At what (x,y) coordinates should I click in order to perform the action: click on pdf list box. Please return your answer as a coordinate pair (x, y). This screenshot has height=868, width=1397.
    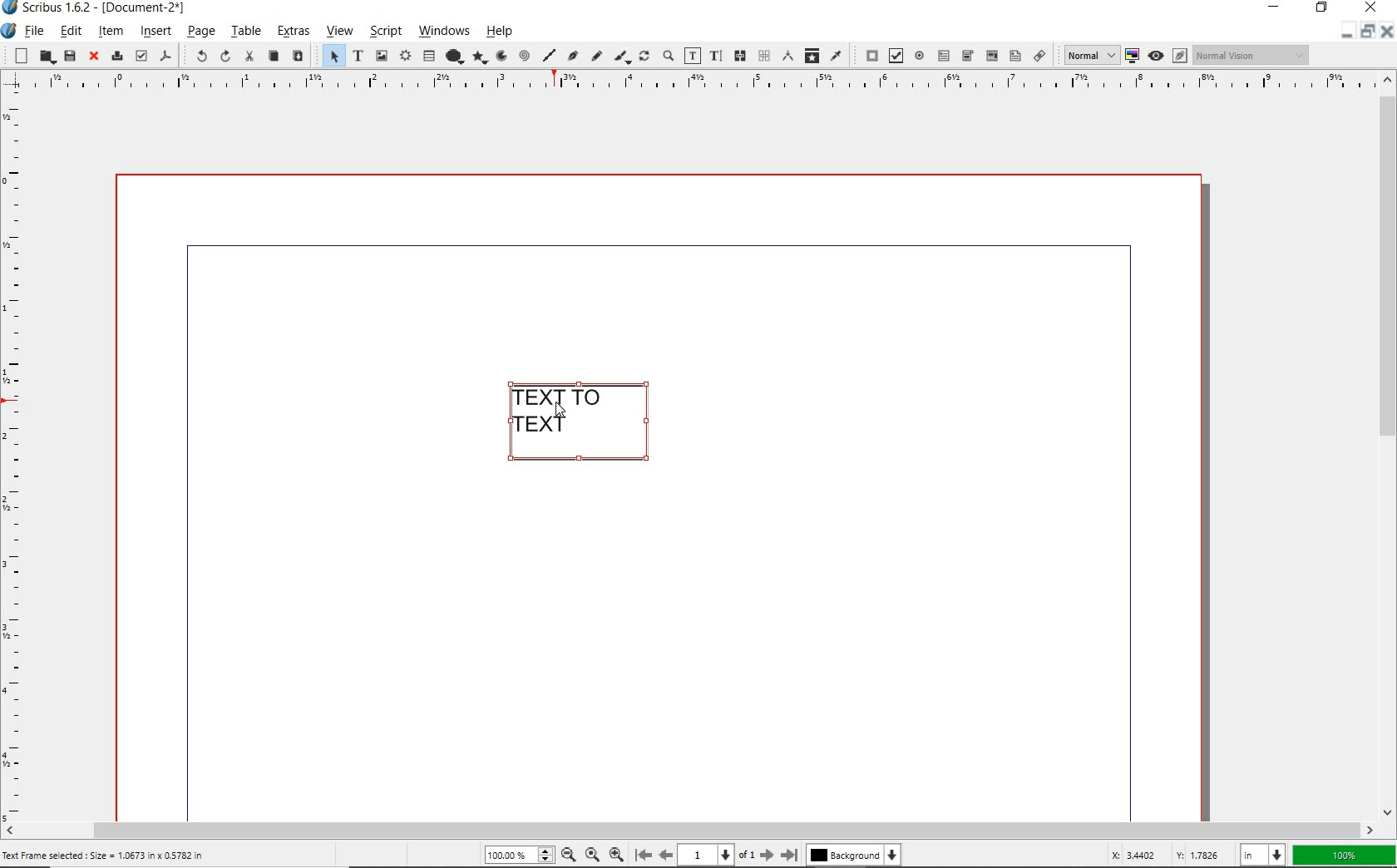
    Looking at the image, I should click on (1014, 57).